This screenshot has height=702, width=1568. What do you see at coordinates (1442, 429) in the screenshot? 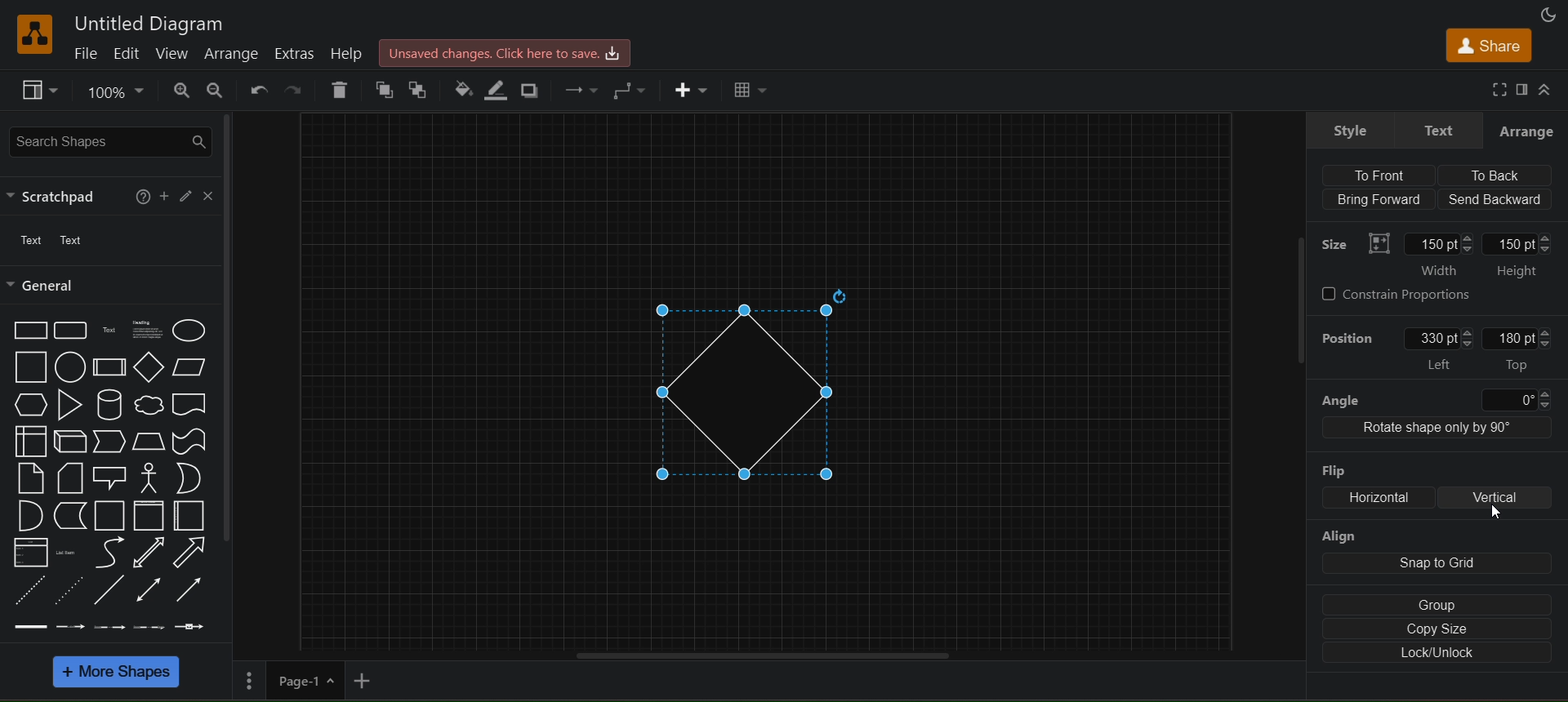
I see `rotate shape by 90 degree` at bounding box center [1442, 429].